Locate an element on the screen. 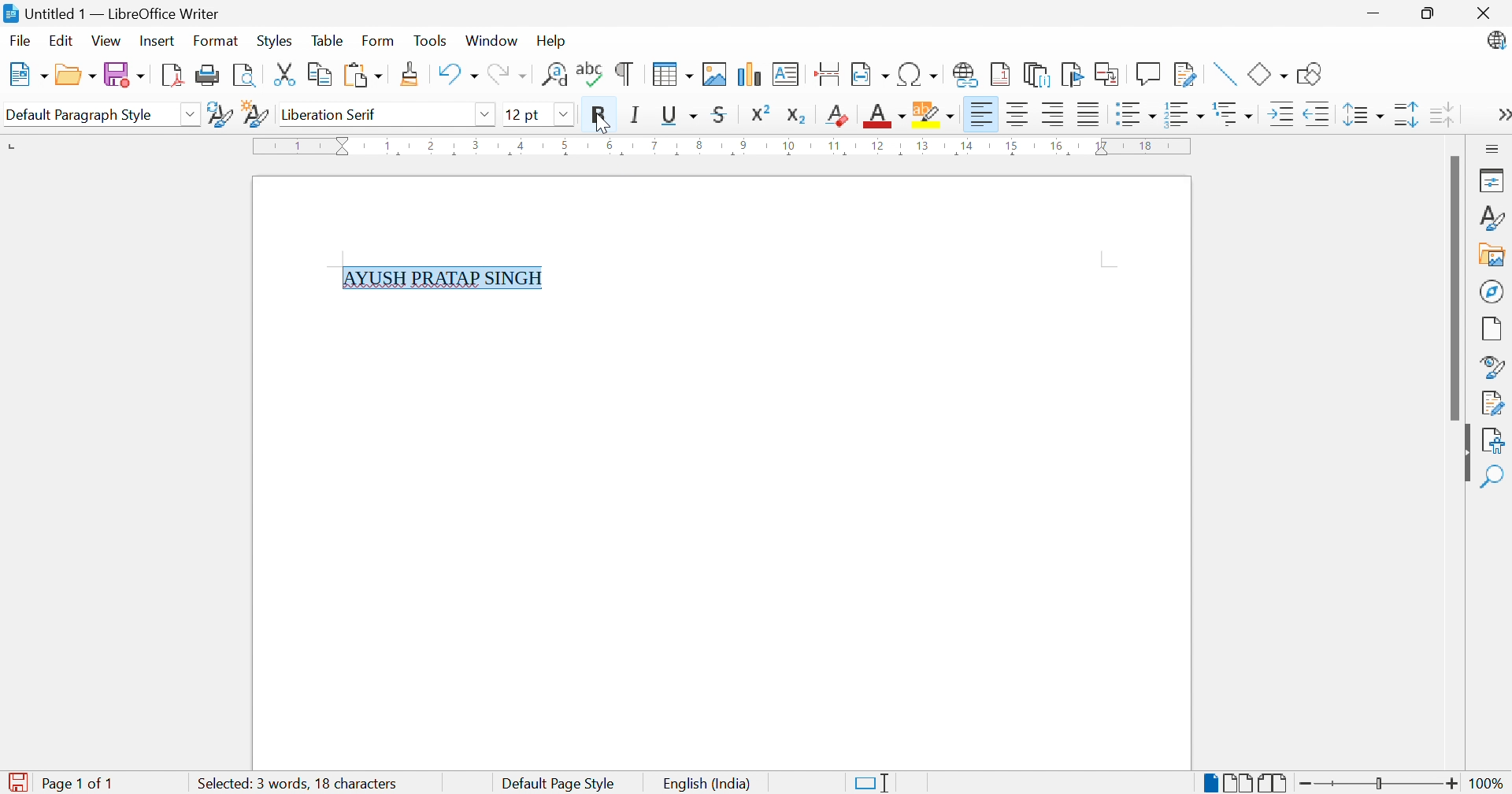  Format is located at coordinates (215, 40).